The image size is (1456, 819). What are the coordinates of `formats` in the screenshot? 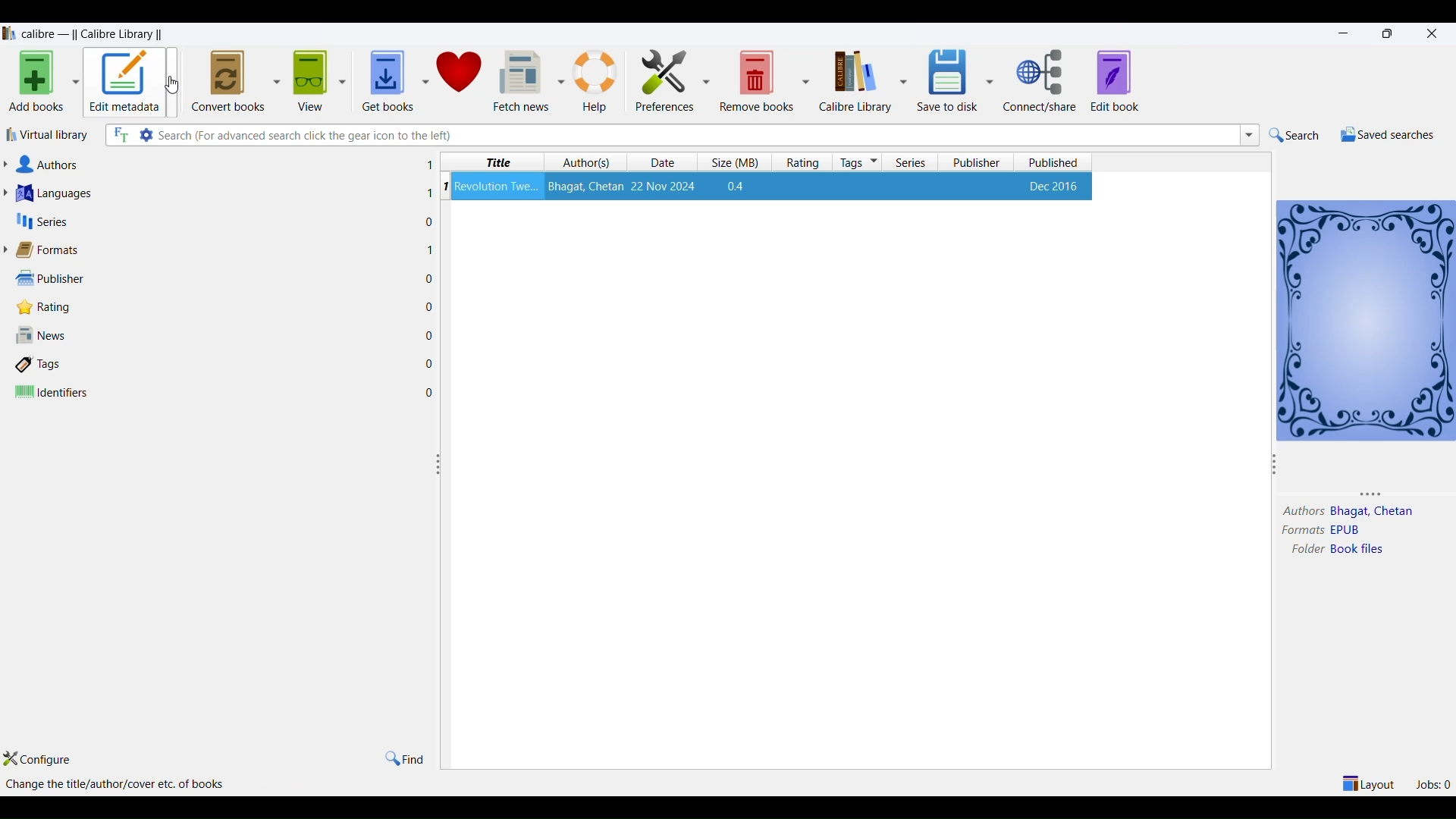 It's located at (1299, 530).